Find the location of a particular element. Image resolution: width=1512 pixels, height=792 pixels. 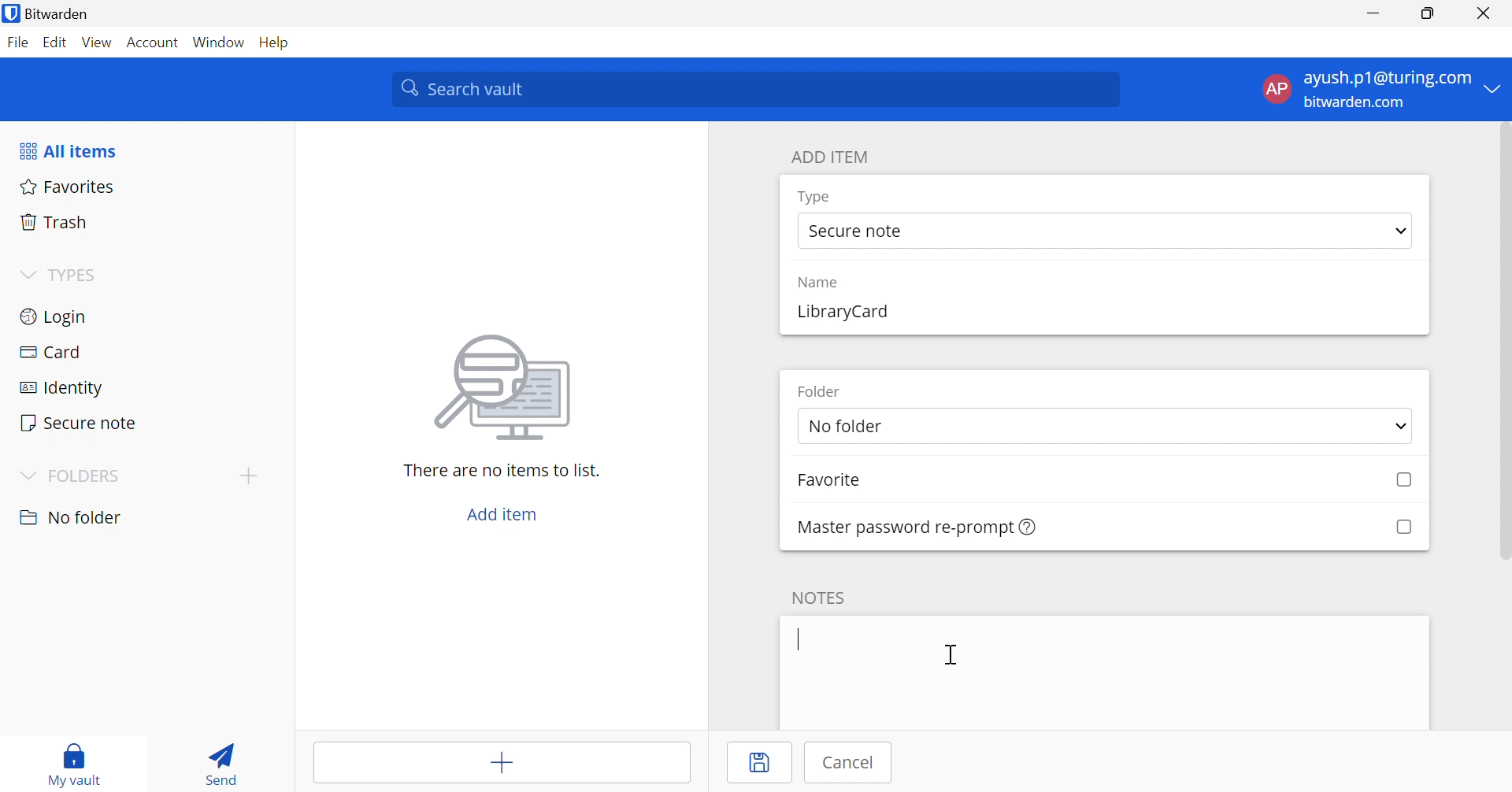

select type is located at coordinates (1105, 231).